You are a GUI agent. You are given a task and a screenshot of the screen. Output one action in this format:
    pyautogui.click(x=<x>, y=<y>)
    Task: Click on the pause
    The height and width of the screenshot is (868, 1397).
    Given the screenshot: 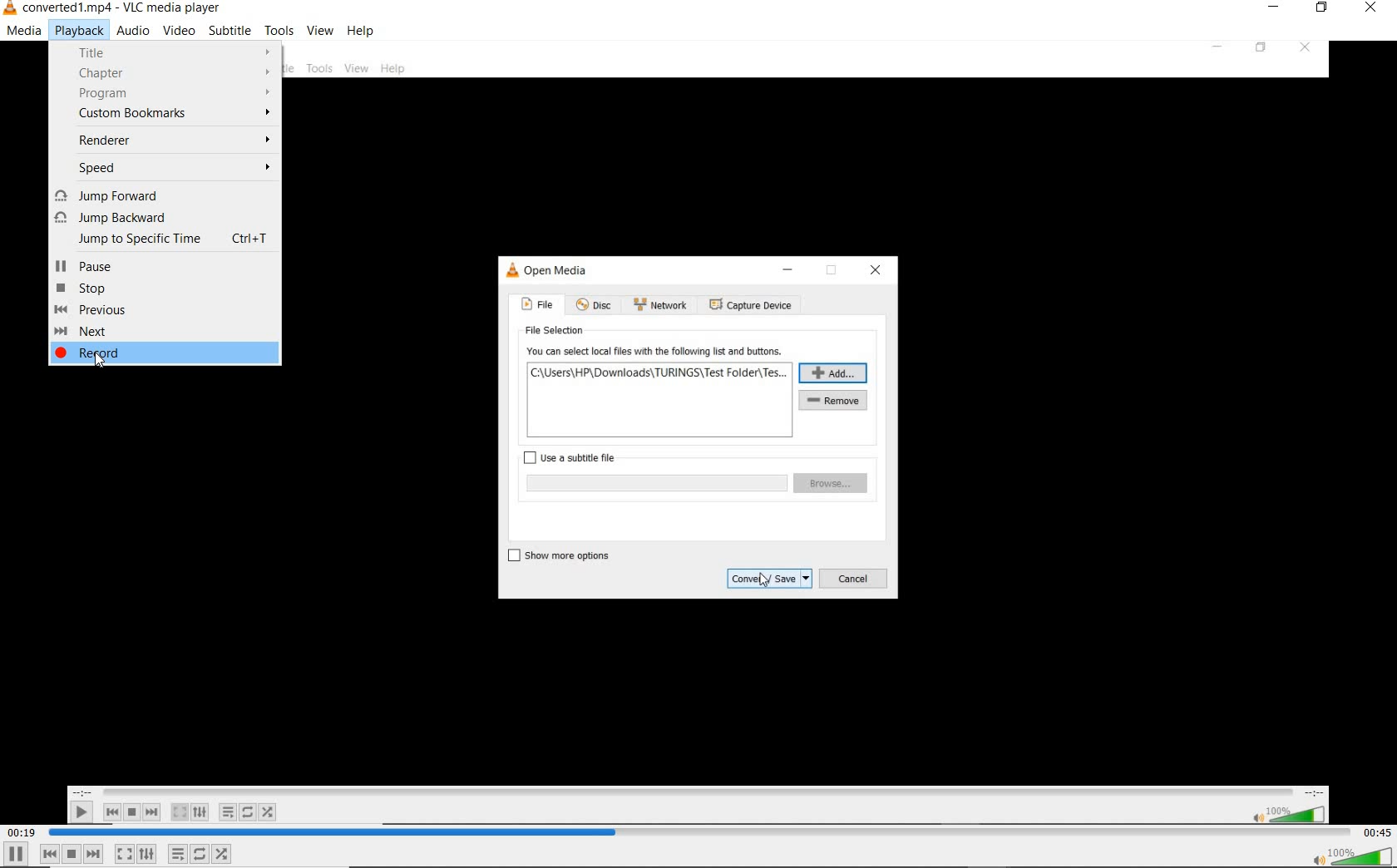 What is the action you would take?
    pyautogui.click(x=115, y=266)
    